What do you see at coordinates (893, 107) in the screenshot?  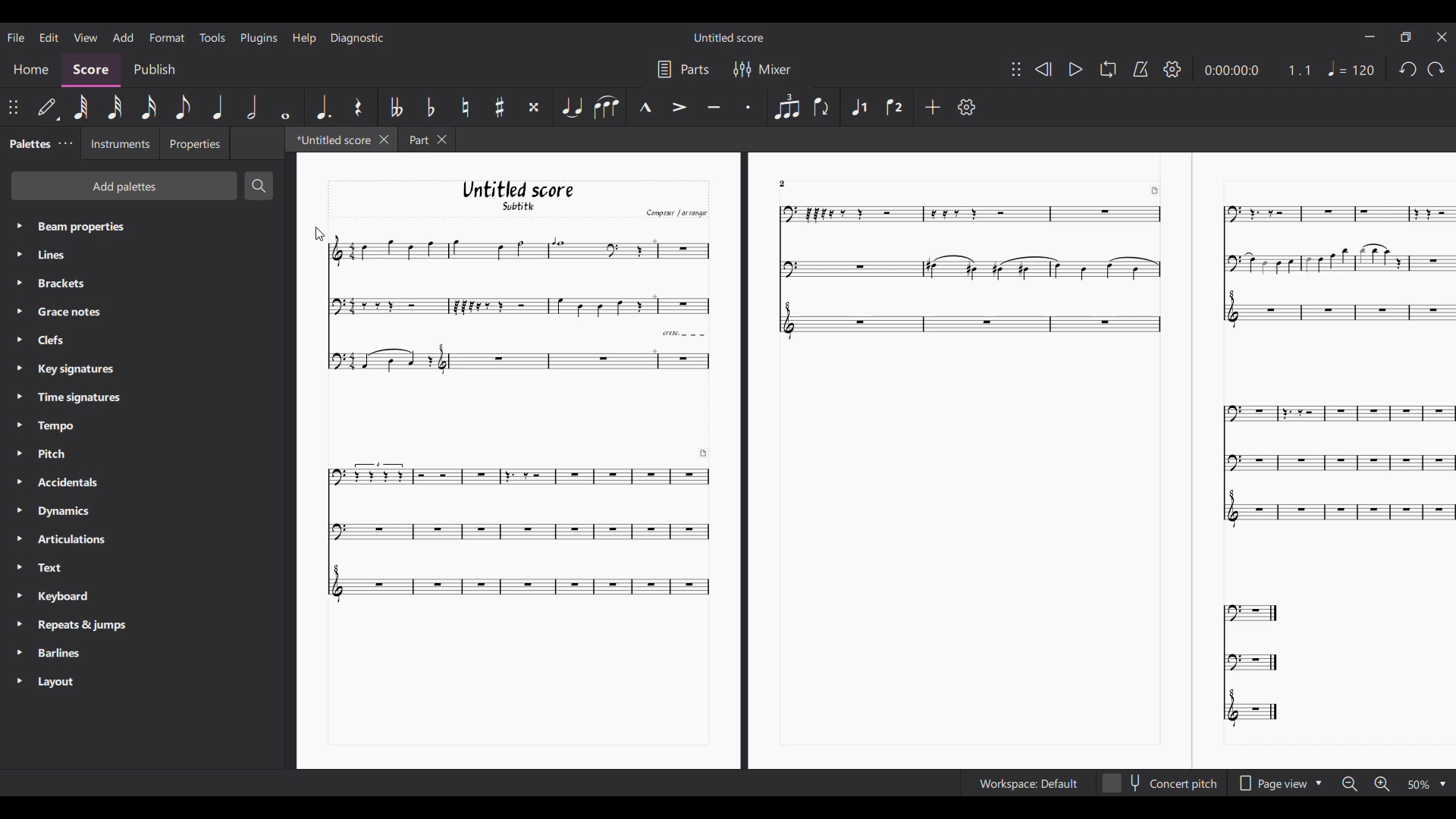 I see `Voice 2` at bounding box center [893, 107].